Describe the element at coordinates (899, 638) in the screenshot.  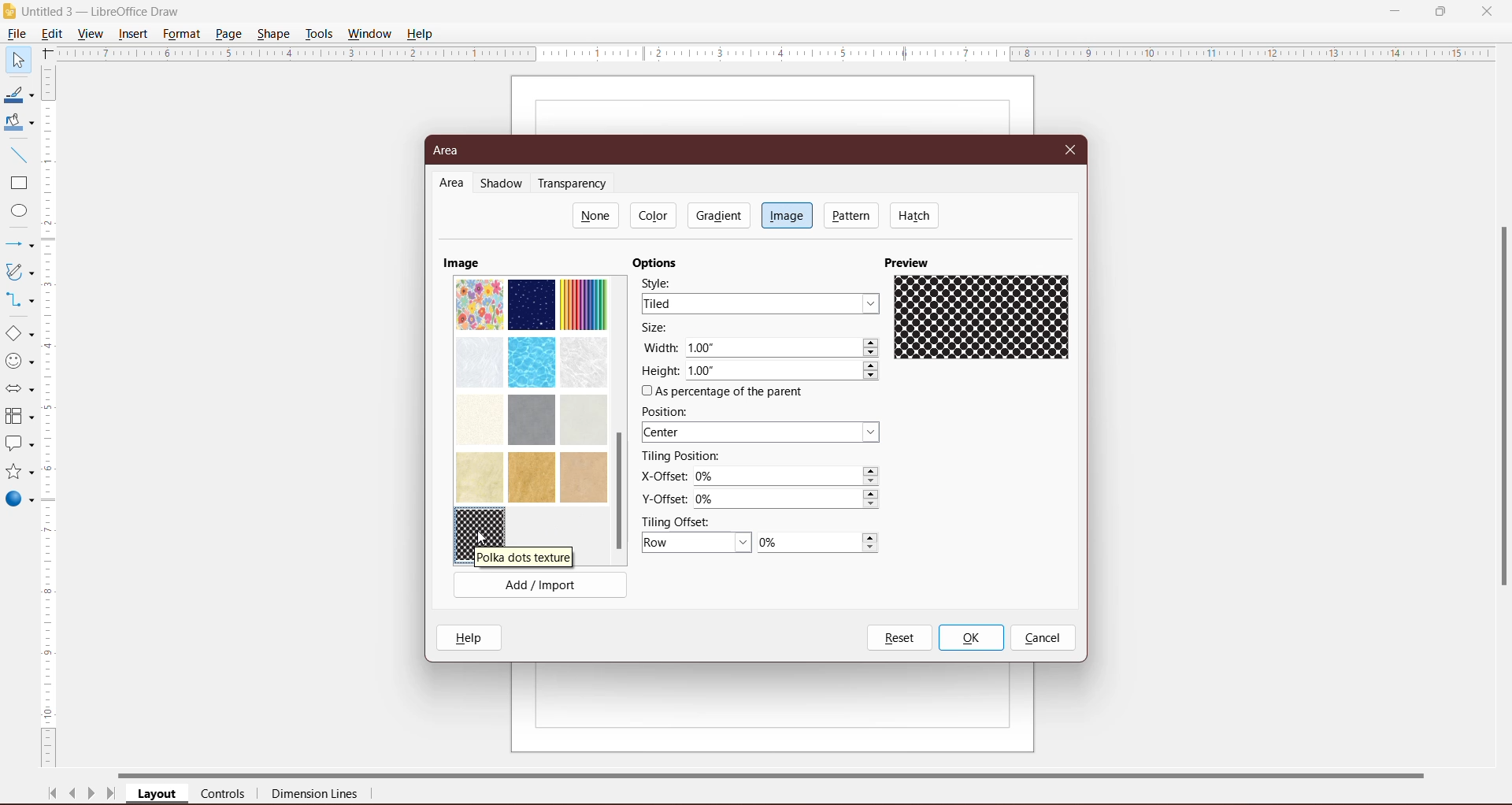
I see `Reset` at that location.